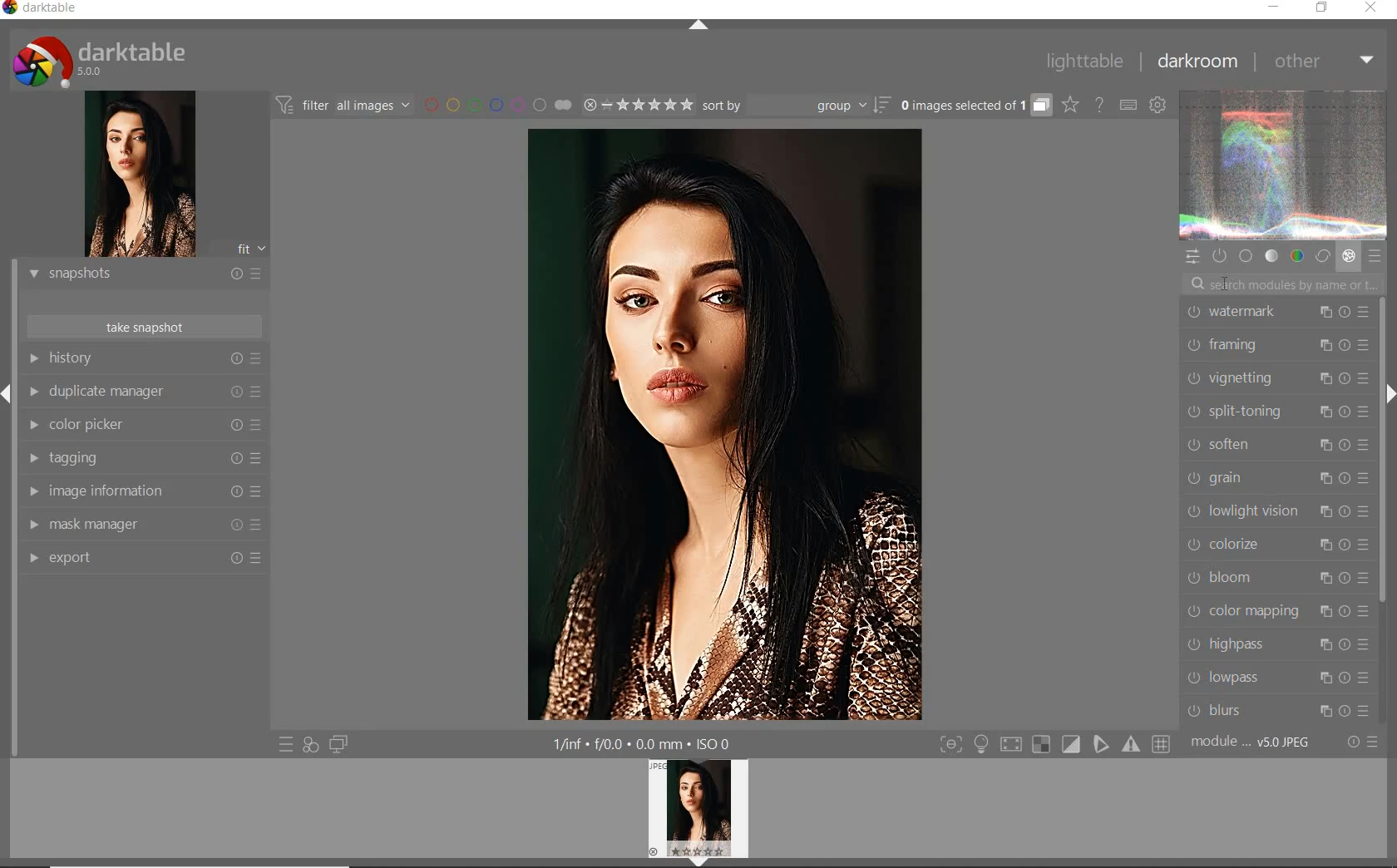 Image resolution: width=1397 pixels, height=868 pixels. What do you see at coordinates (646, 745) in the screenshot?
I see `other display information` at bounding box center [646, 745].